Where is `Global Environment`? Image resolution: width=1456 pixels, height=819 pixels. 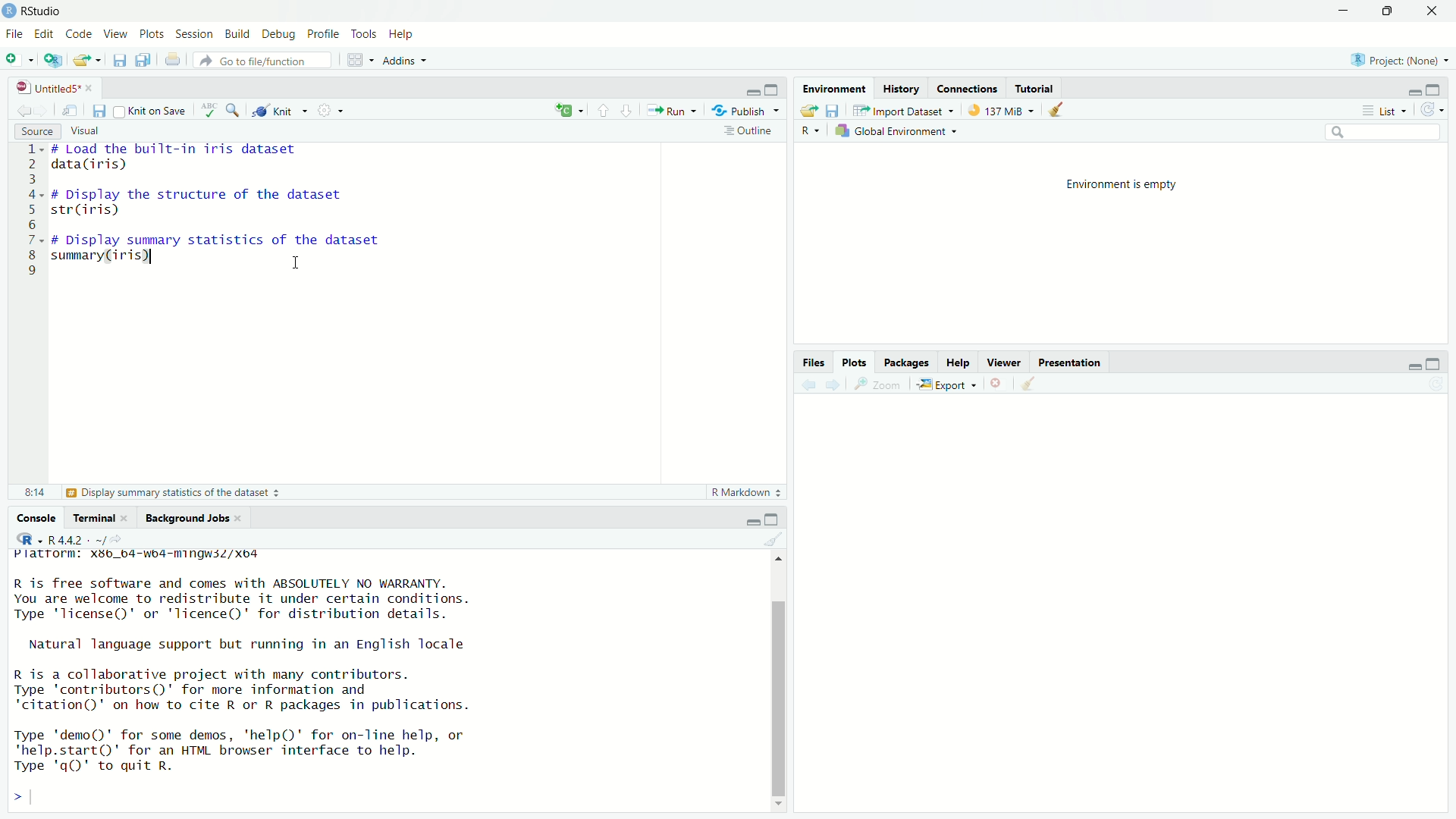 Global Environment is located at coordinates (895, 131).